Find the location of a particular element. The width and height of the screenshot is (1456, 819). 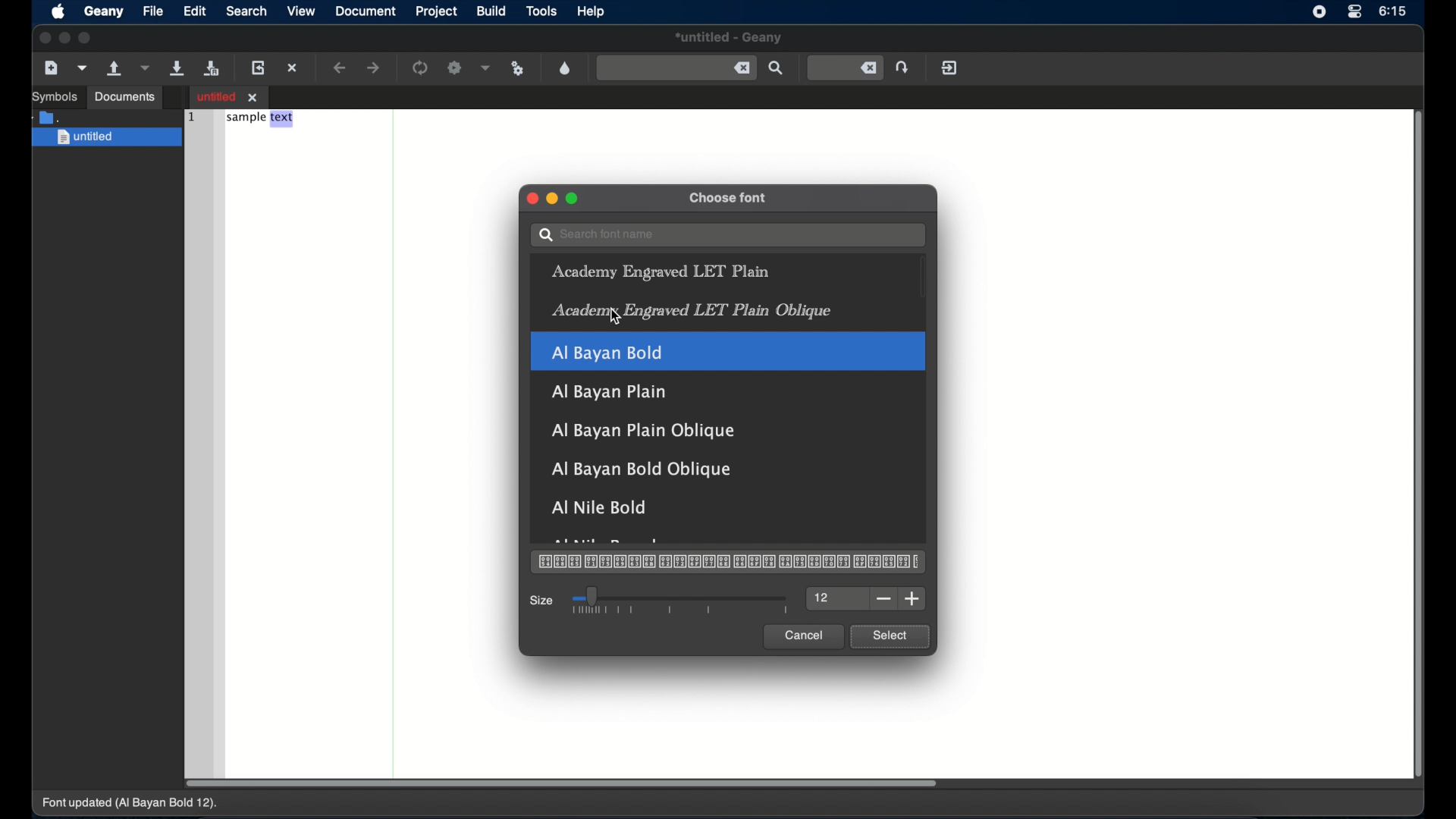

choose font is located at coordinates (730, 199).